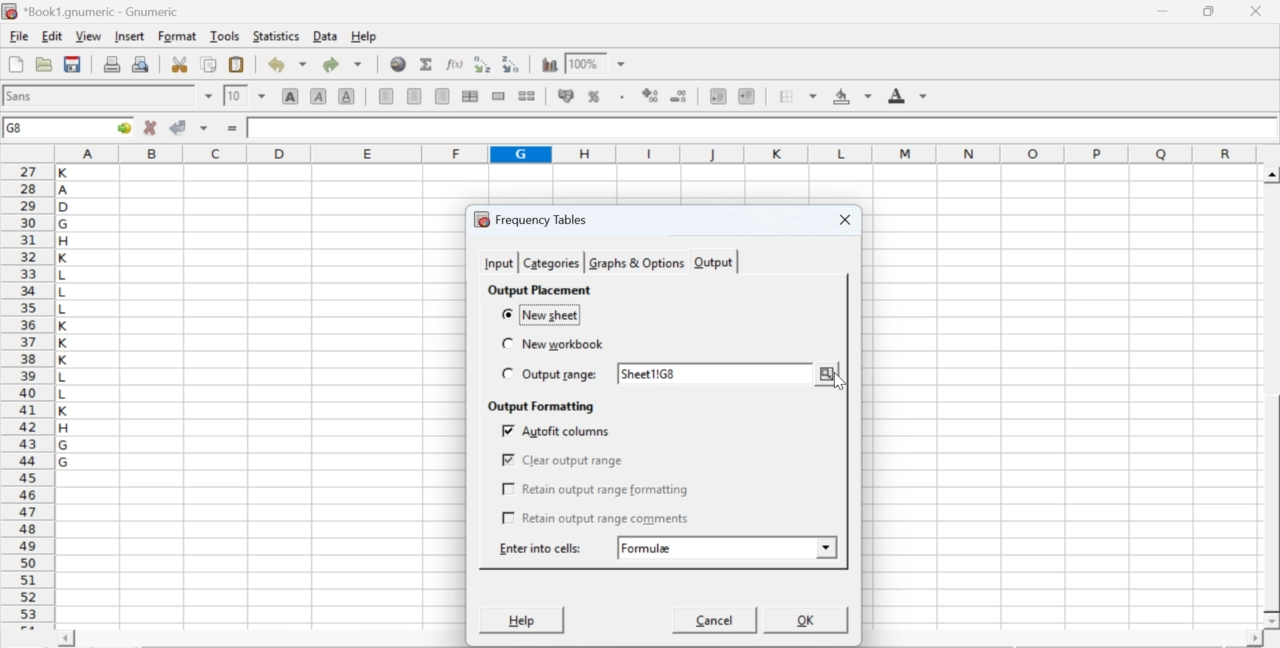 The height and width of the screenshot is (648, 1280). What do you see at coordinates (235, 96) in the screenshot?
I see `10` at bounding box center [235, 96].